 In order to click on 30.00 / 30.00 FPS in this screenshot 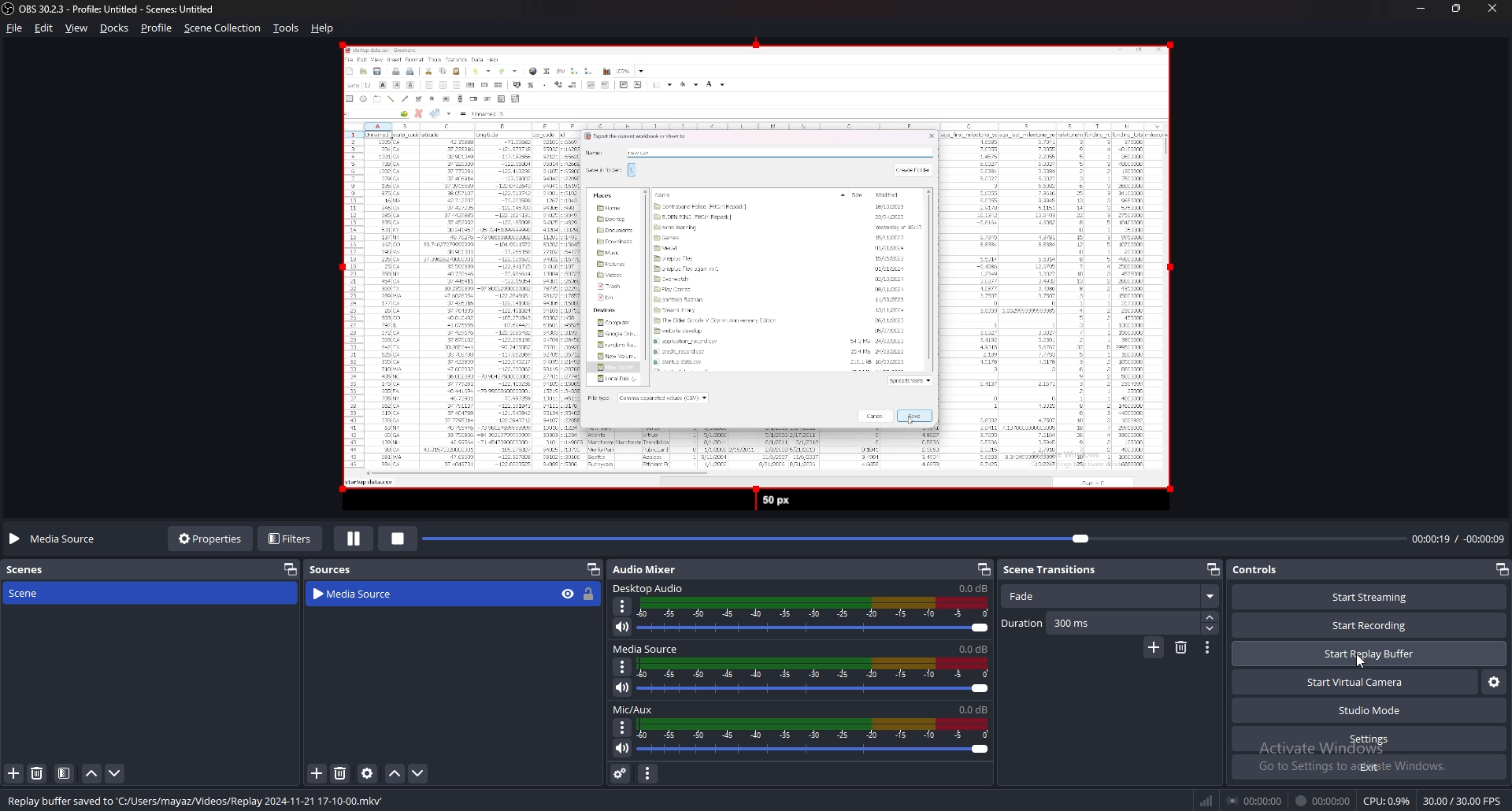, I will do `click(1462, 801)`.